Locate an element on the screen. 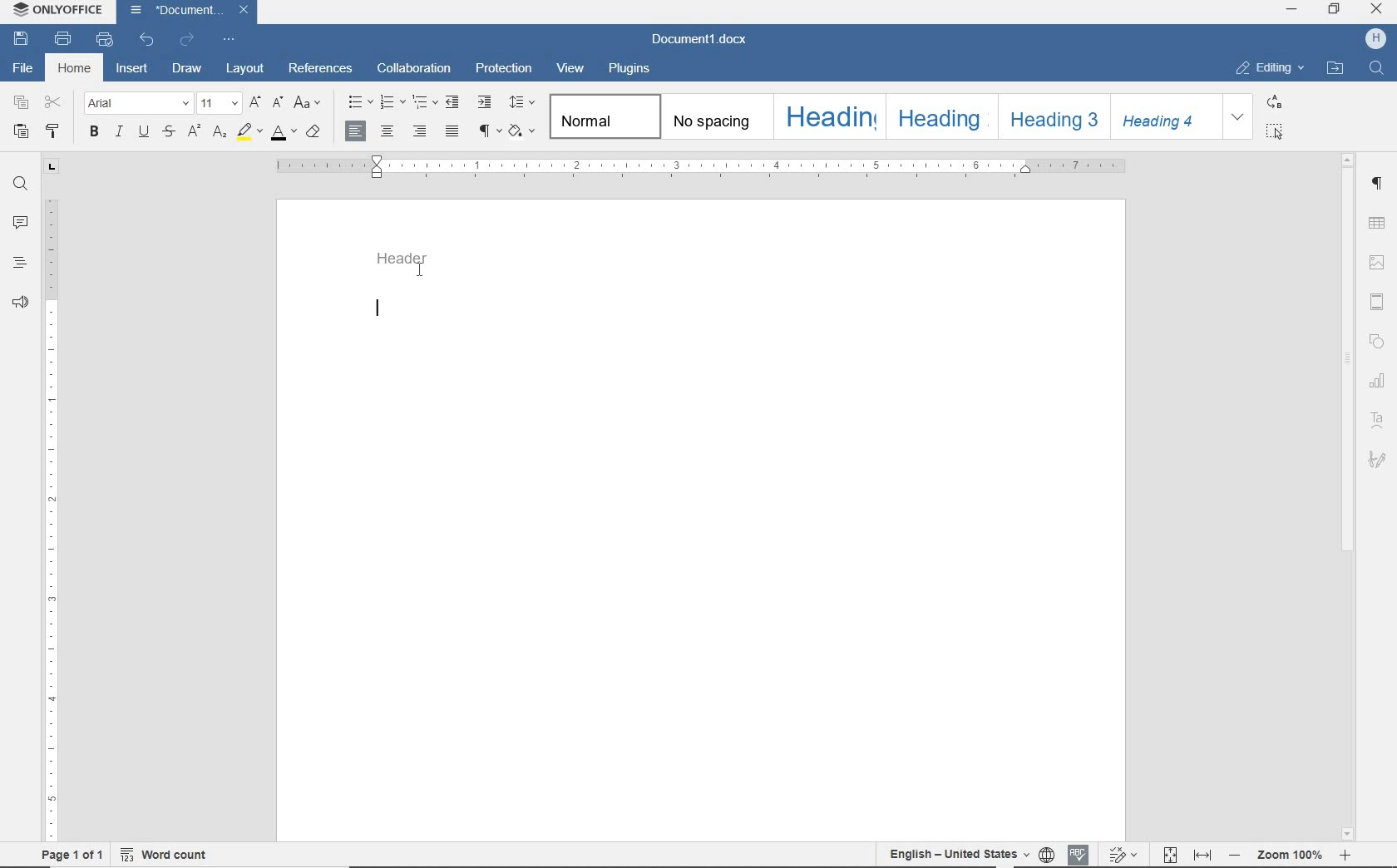 The image size is (1397, 868). copy is located at coordinates (22, 104).